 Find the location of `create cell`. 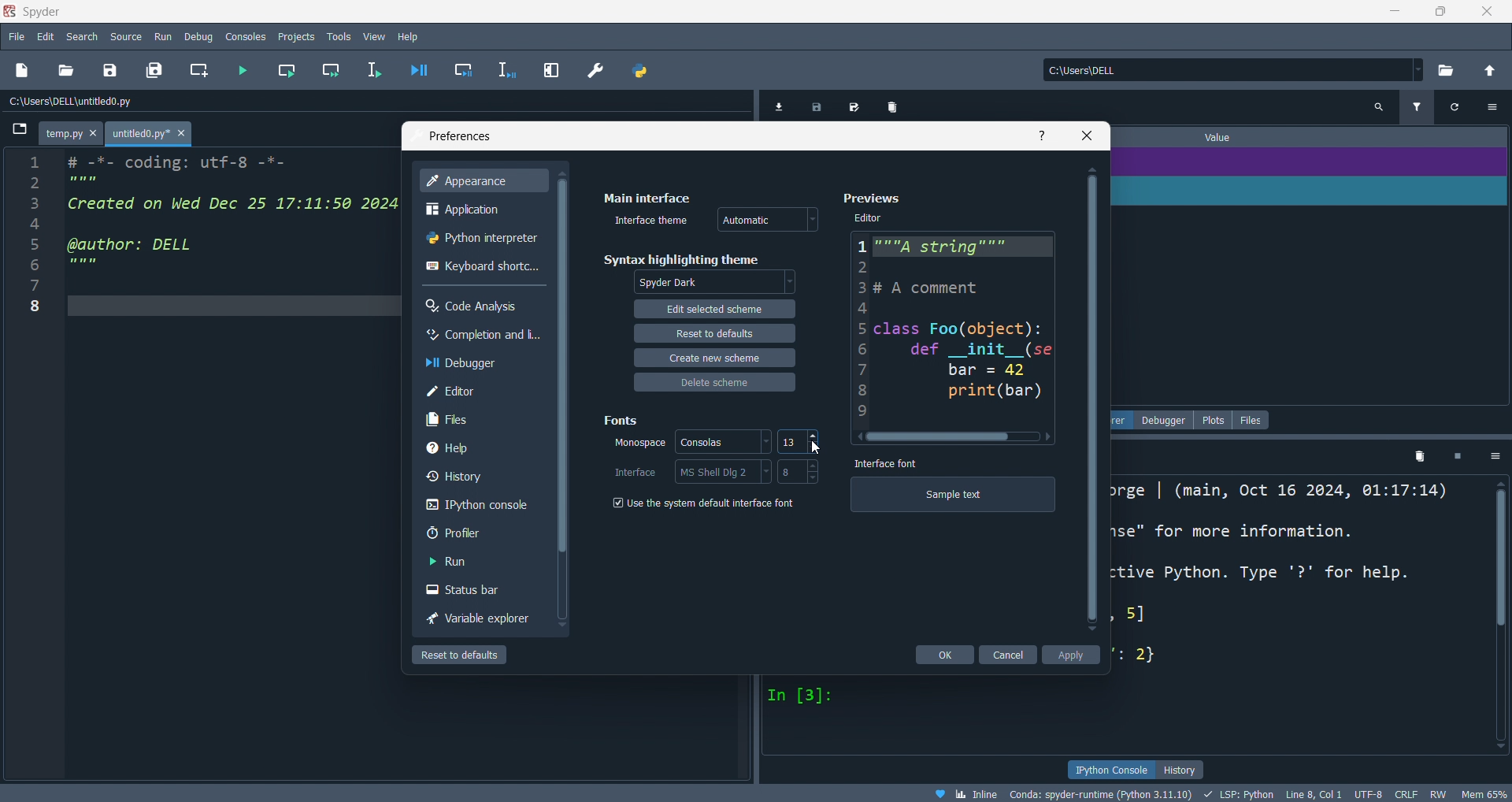

create cell is located at coordinates (200, 71).